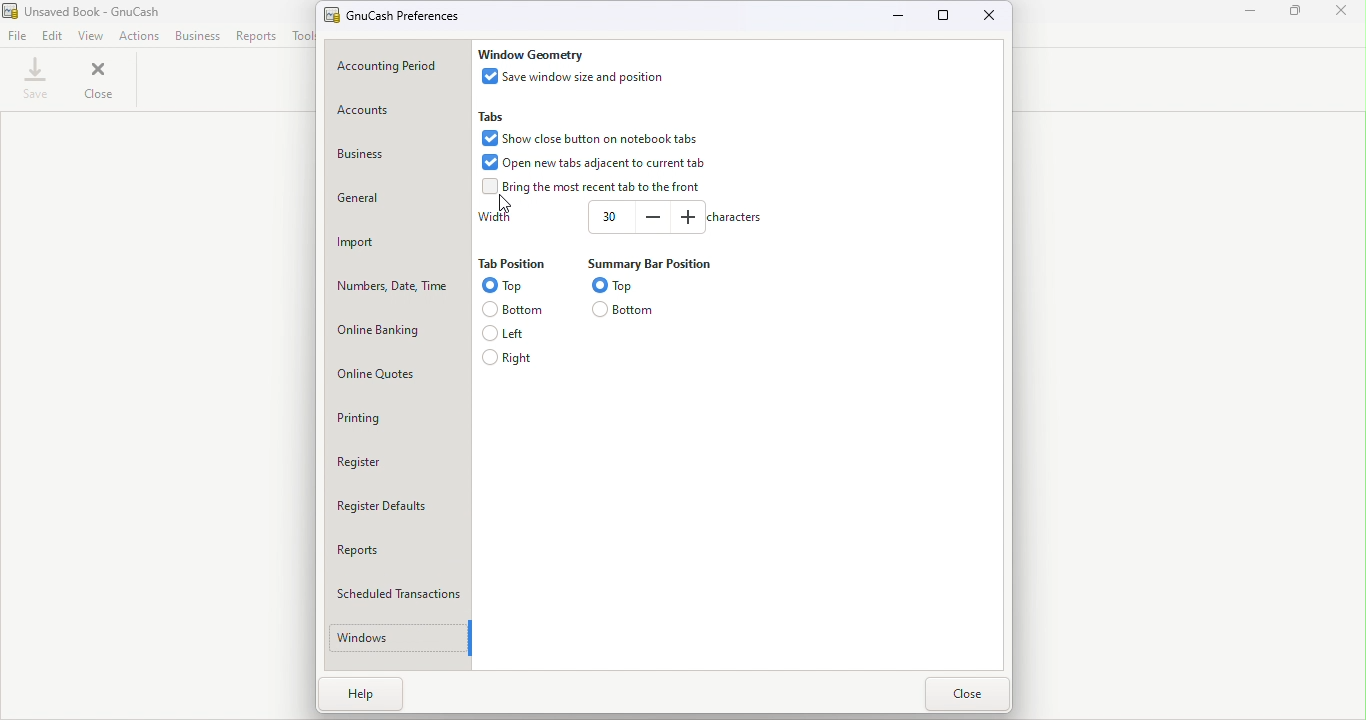  I want to click on Scheduled transcations, so click(402, 589).